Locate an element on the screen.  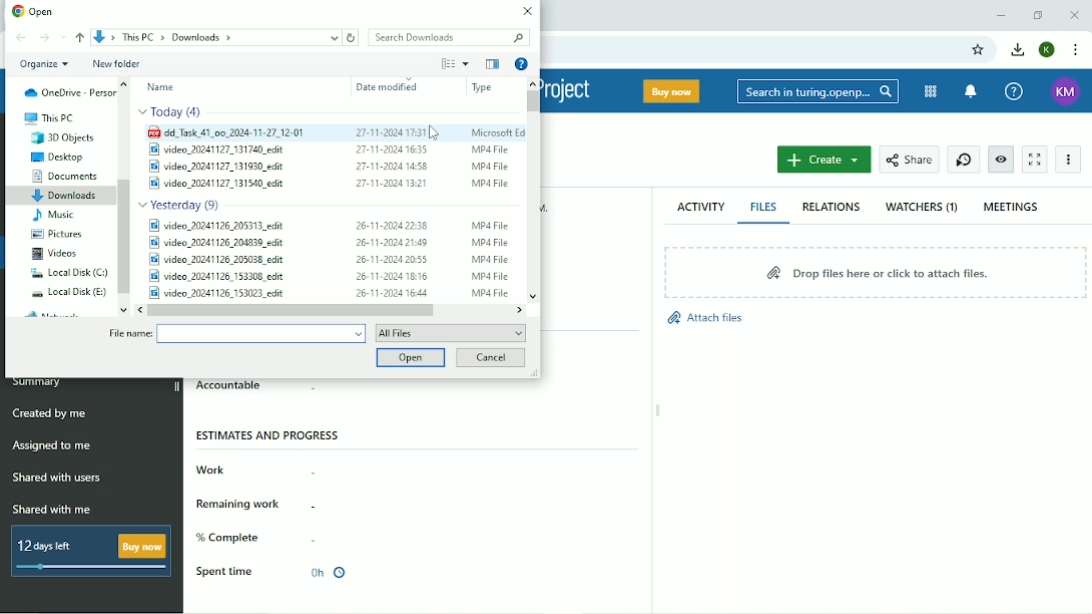
Yesterday (9) is located at coordinates (183, 203).